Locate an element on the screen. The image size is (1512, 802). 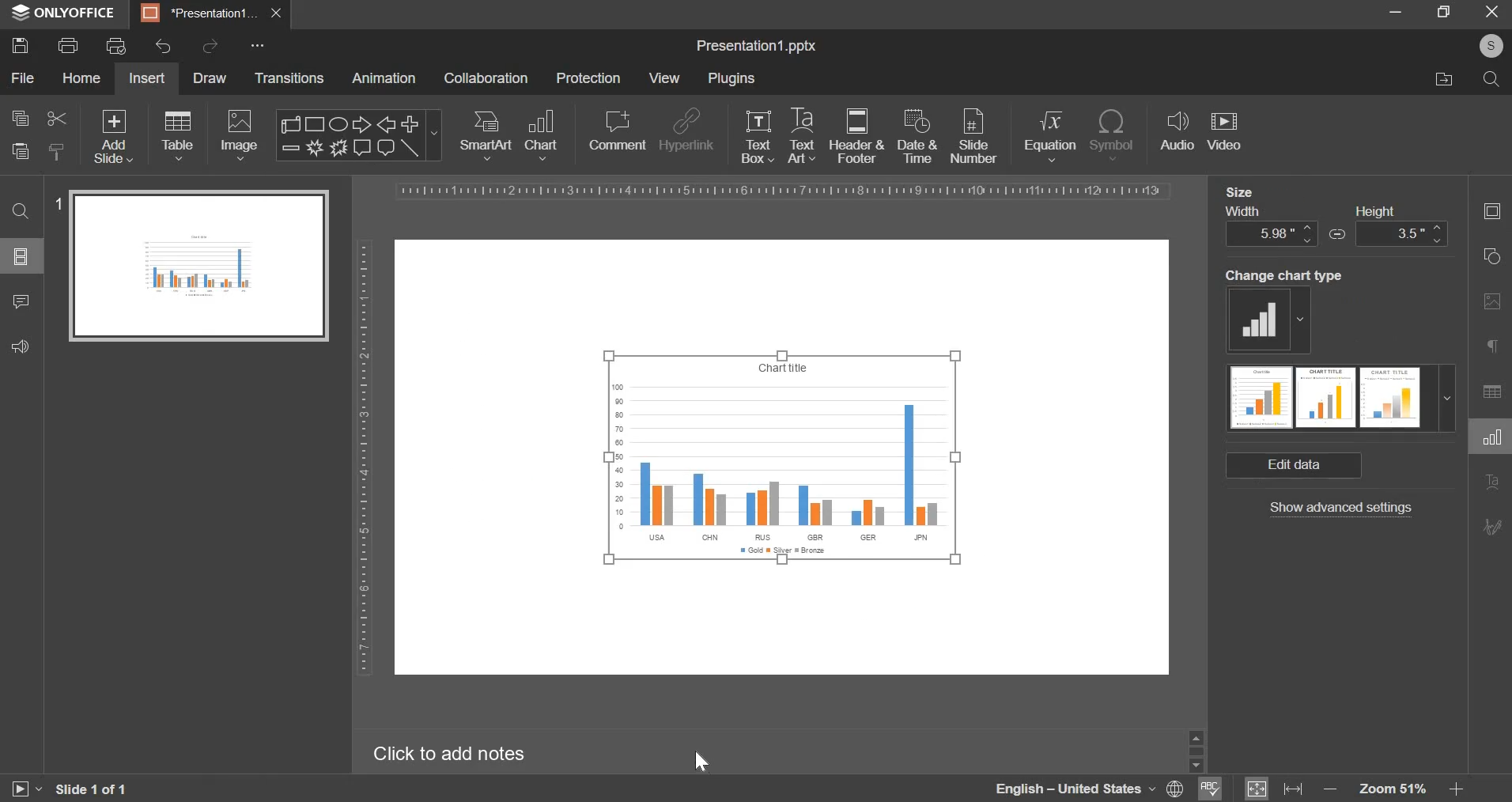
text art is located at coordinates (800, 134).